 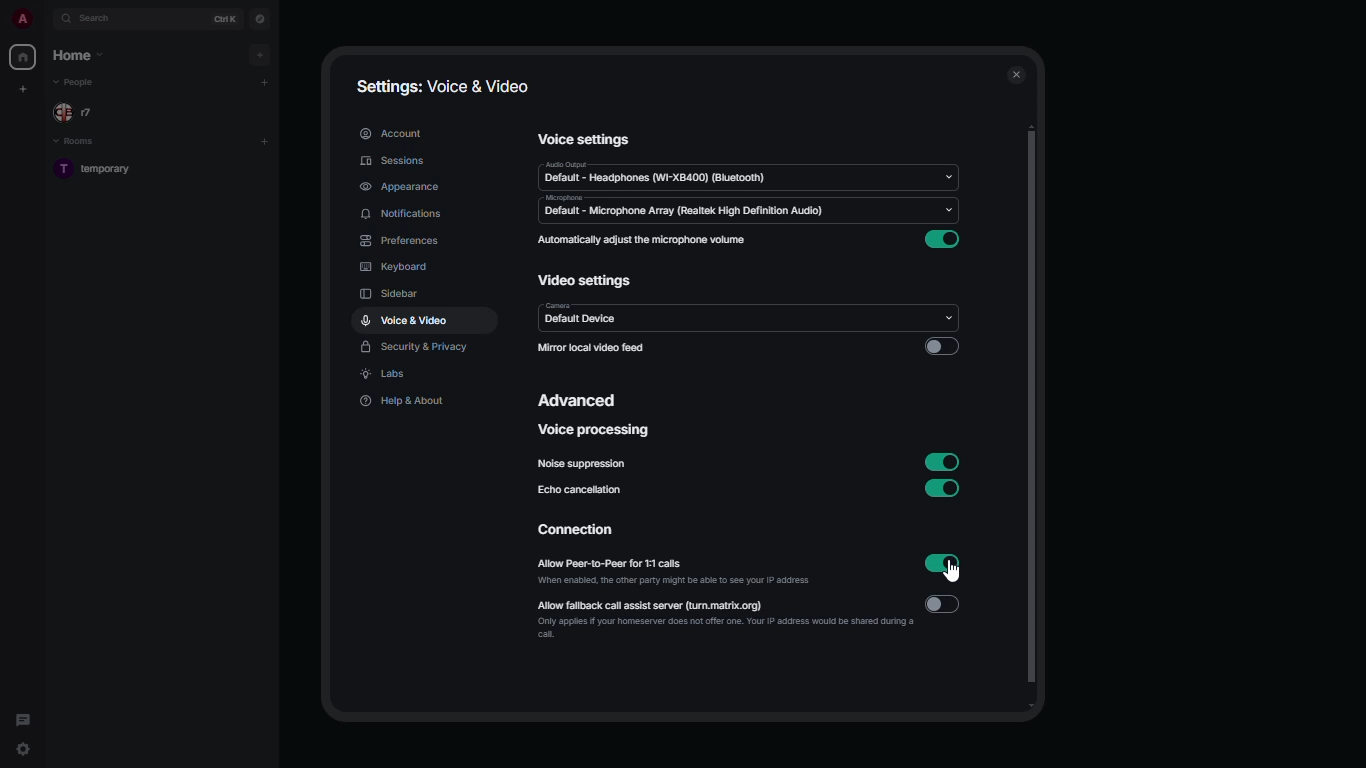 What do you see at coordinates (392, 293) in the screenshot?
I see `sidebar` at bounding box center [392, 293].